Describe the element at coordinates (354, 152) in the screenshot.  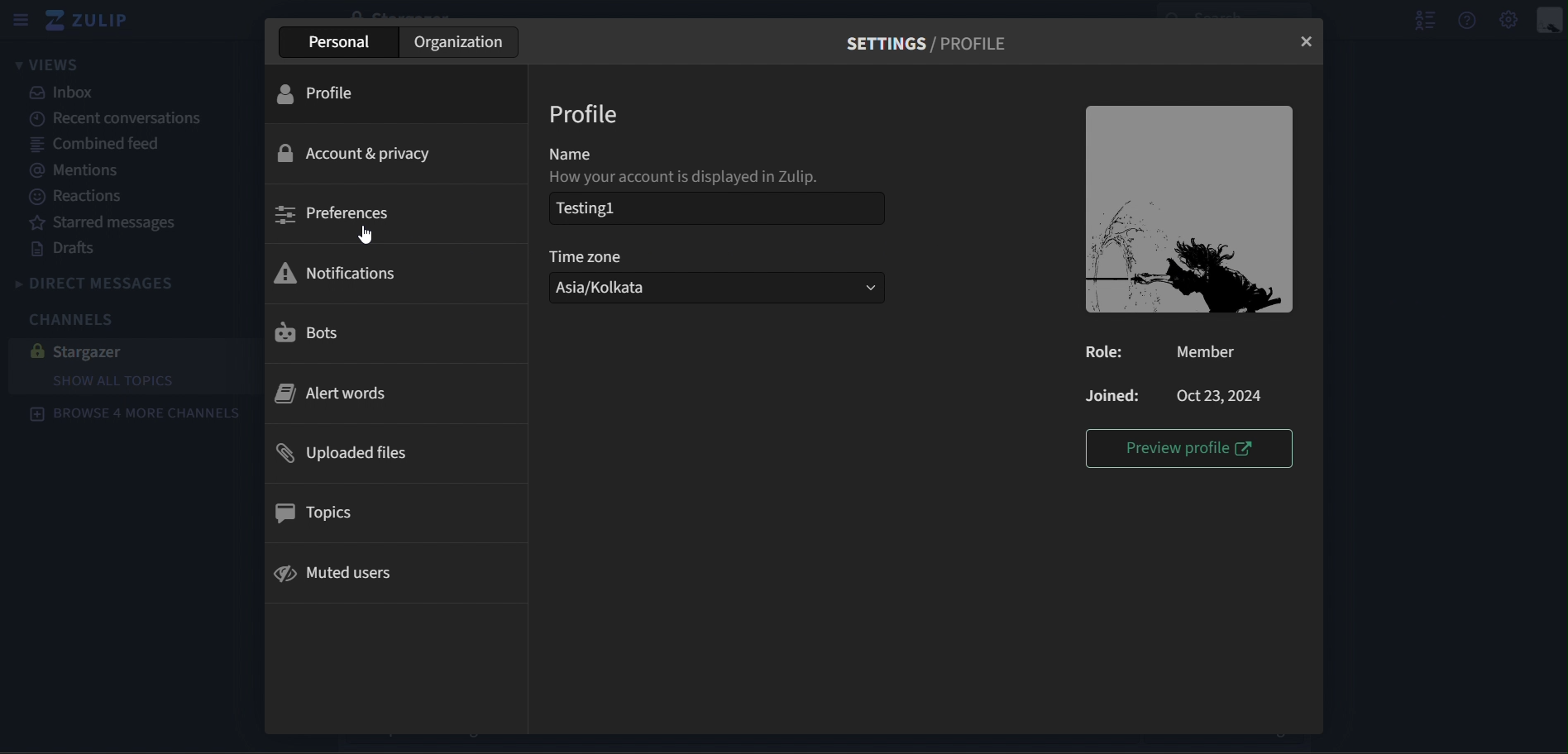
I see `account & privacy` at that location.